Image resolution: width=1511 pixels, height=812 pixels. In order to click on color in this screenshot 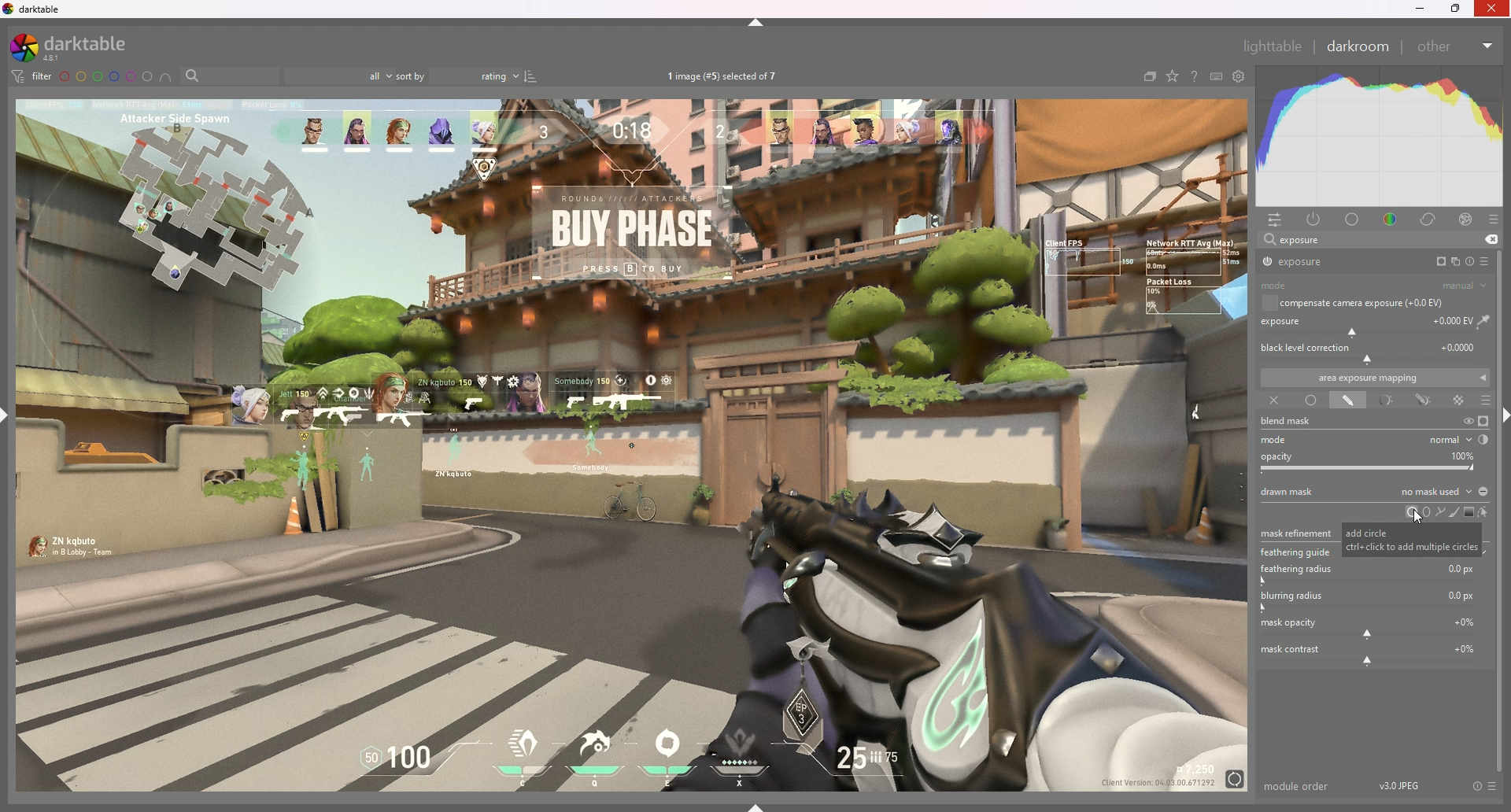, I will do `click(1390, 220)`.